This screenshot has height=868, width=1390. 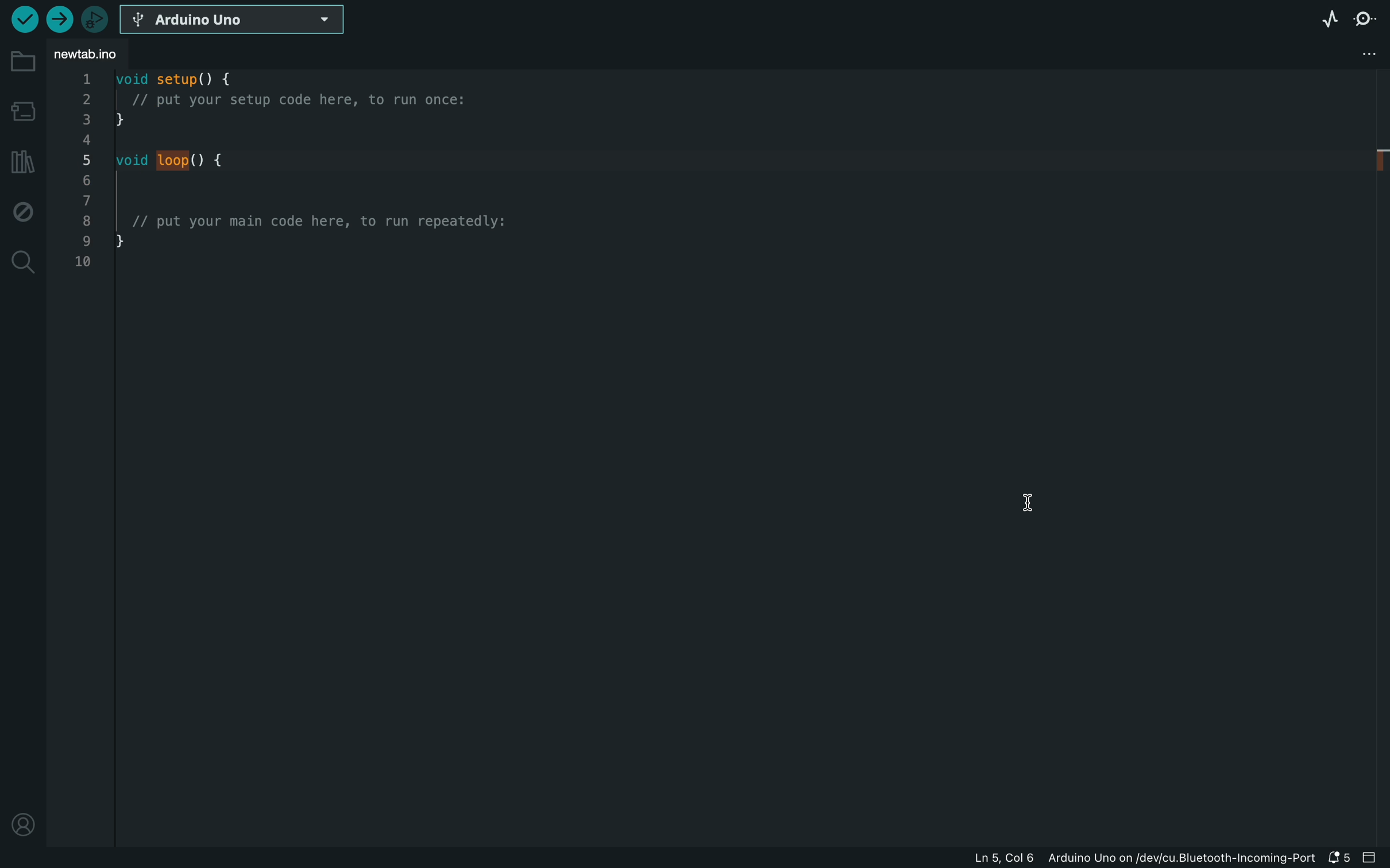 What do you see at coordinates (1330, 19) in the screenshot?
I see `serial plotter` at bounding box center [1330, 19].